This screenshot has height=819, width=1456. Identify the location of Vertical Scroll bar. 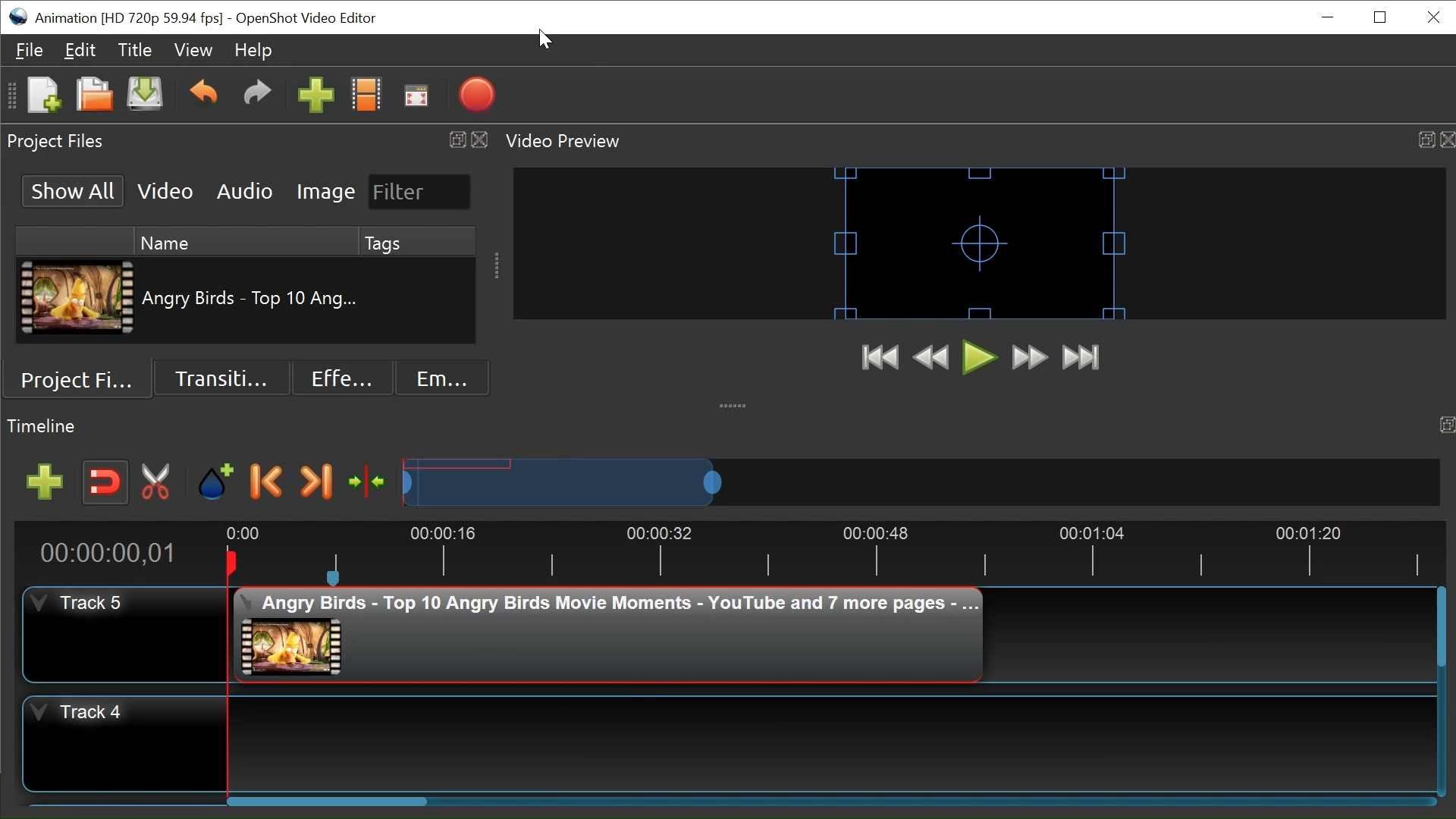
(1442, 631).